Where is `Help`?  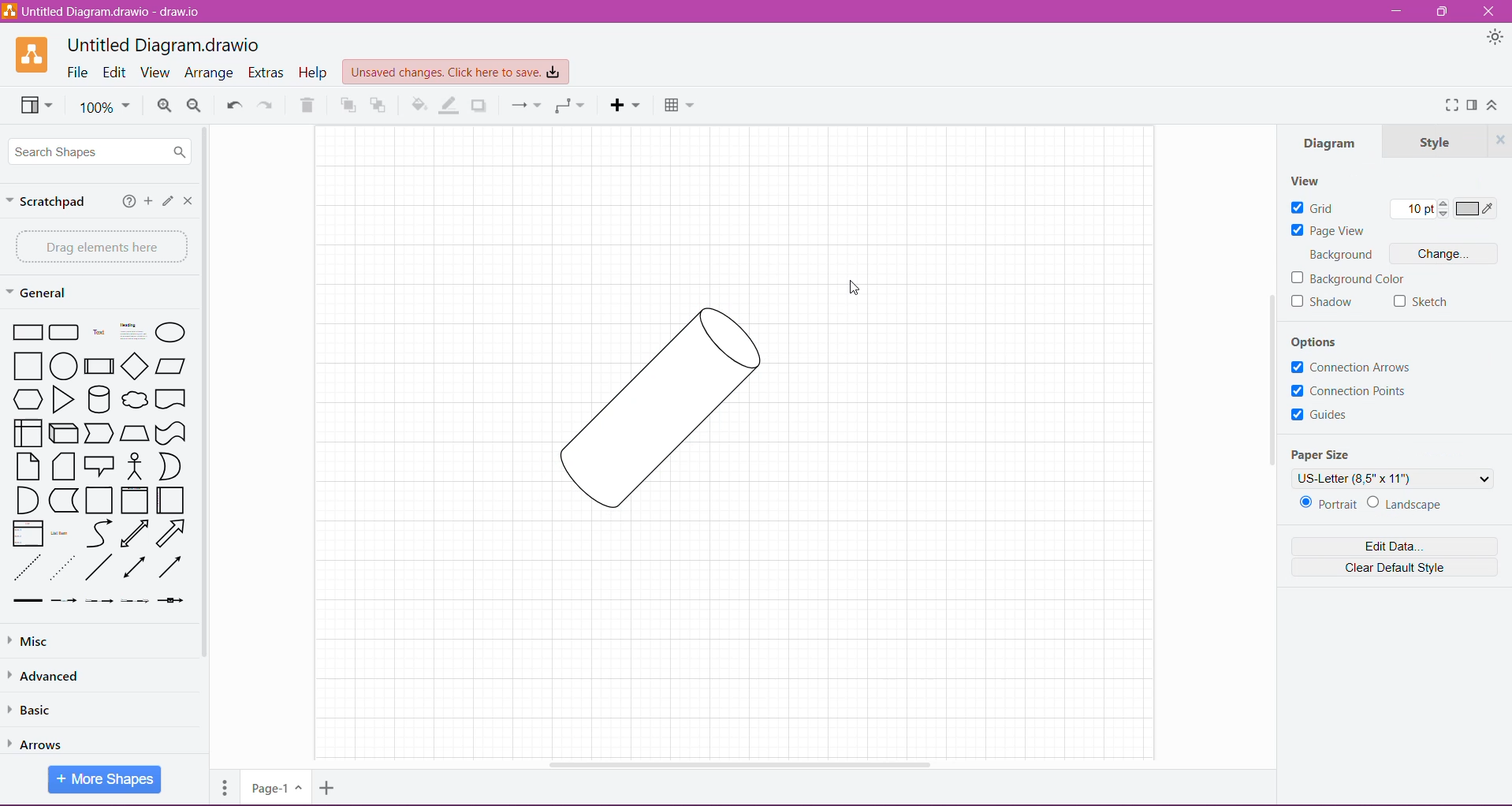 Help is located at coordinates (125, 203).